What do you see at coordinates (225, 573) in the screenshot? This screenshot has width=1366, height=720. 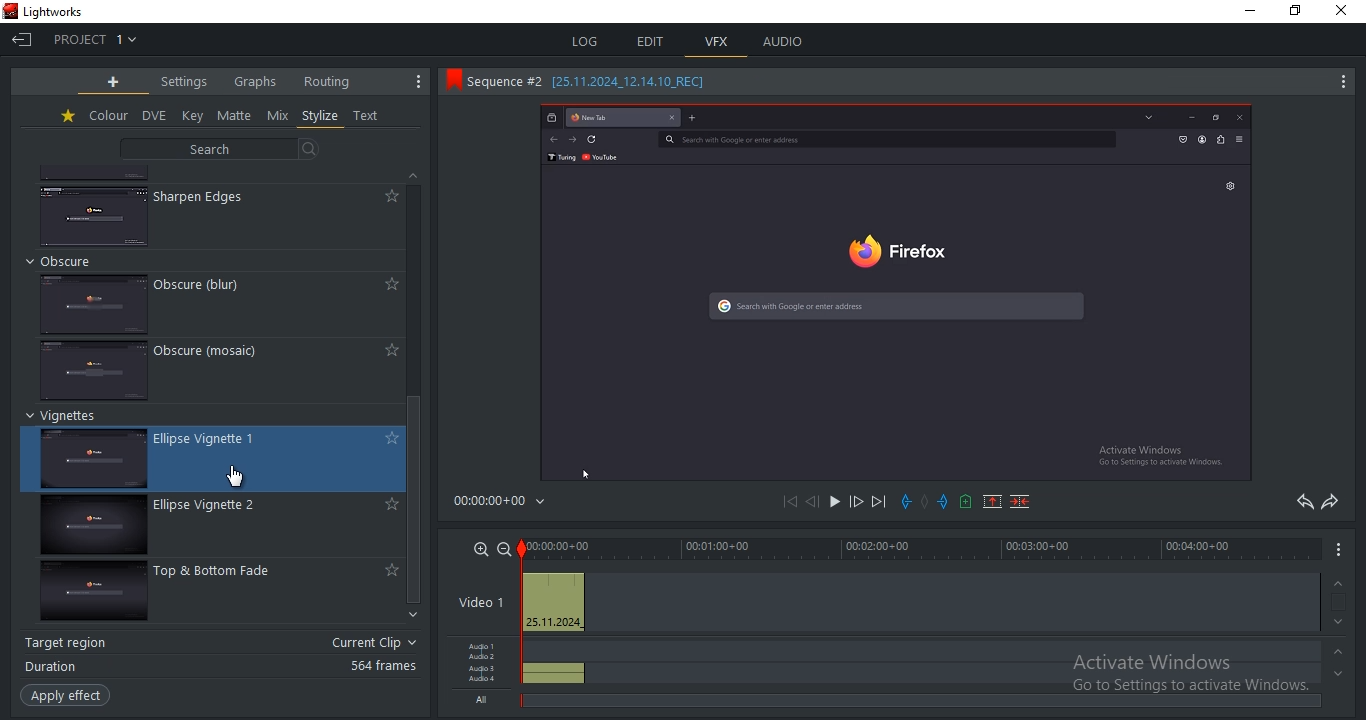 I see `Top & bottom fade` at bounding box center [225, 573].